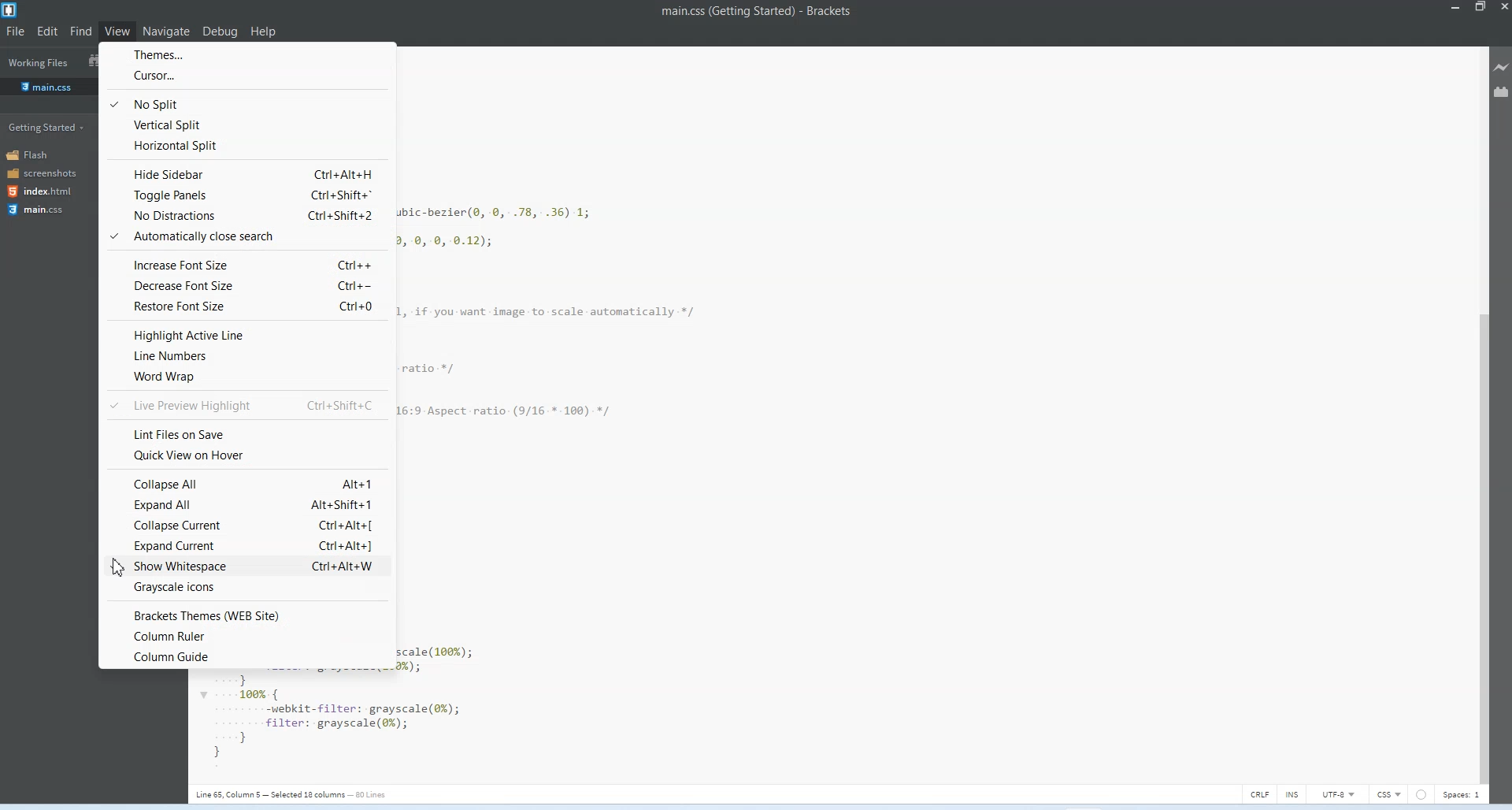  Describe the element at coordinates (80, 30) in the screenshot. I see `Find` at that location.